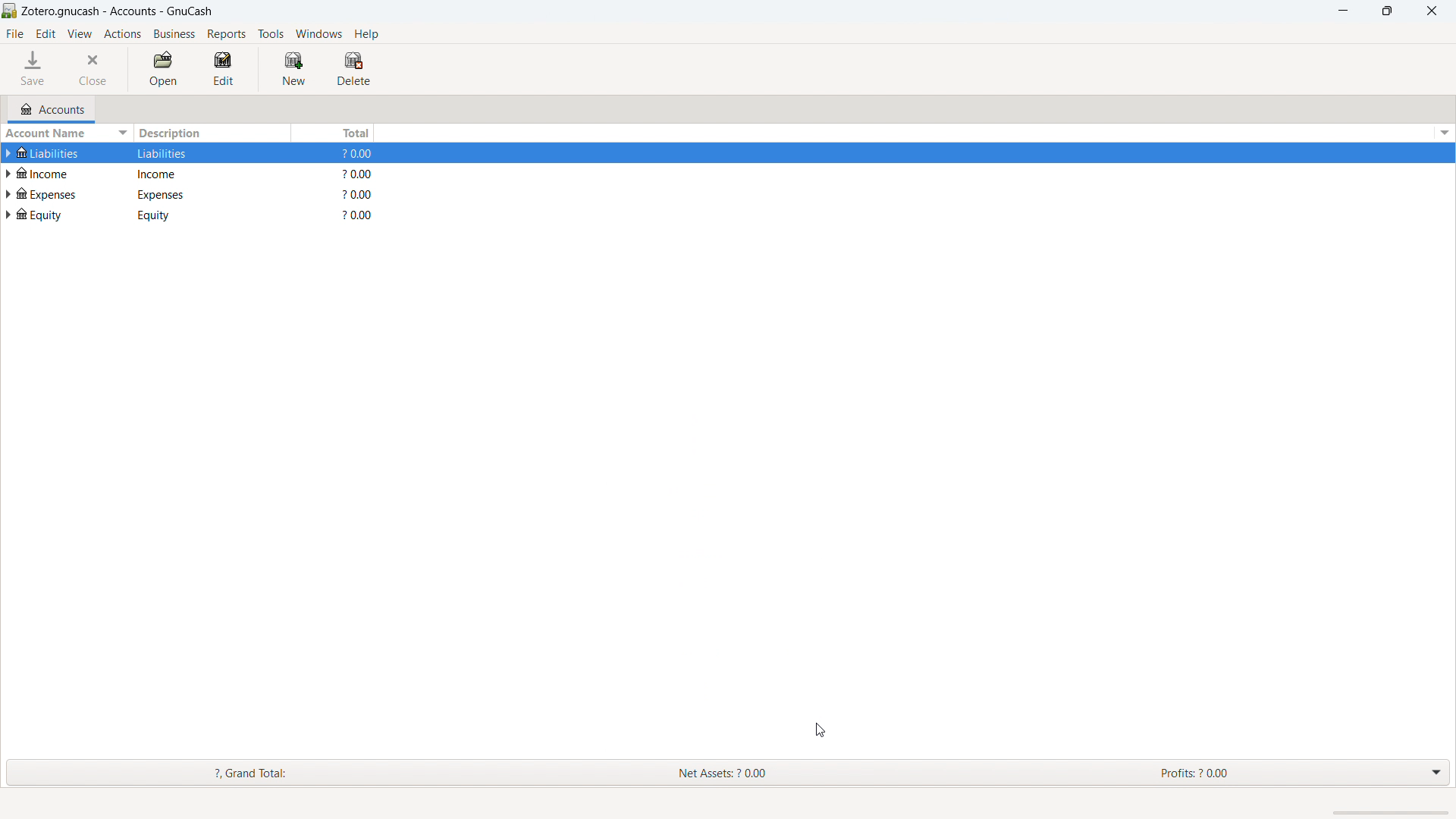  What do you see at coordinates (174, 193) in the screenshot?
I see `expenses` at bounding box center [174, 193].